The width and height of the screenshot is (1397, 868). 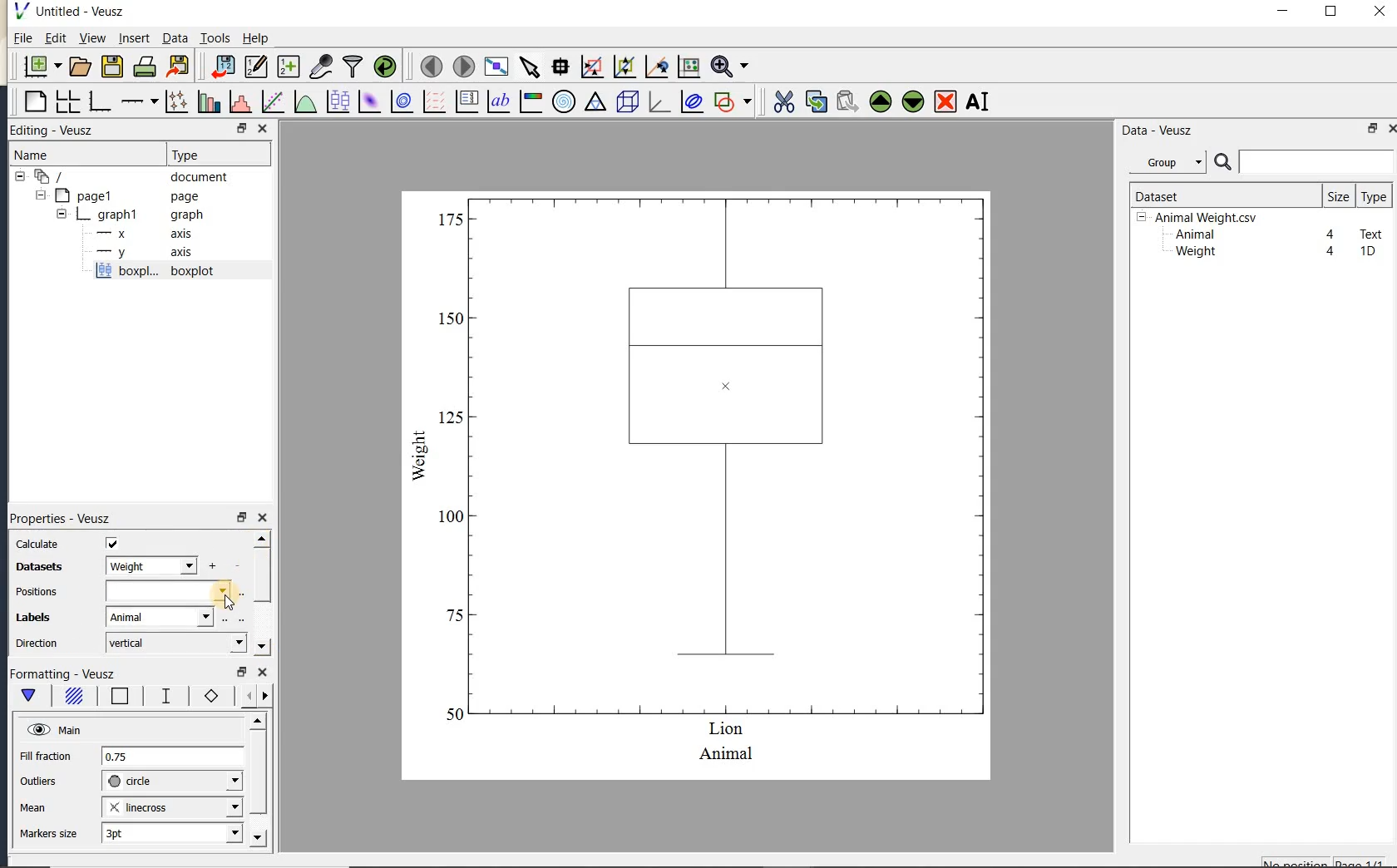 What do you see at coordinates (179, 65) in the screenshot?
I see `export to graphics format` at bounding box center [179, 65].